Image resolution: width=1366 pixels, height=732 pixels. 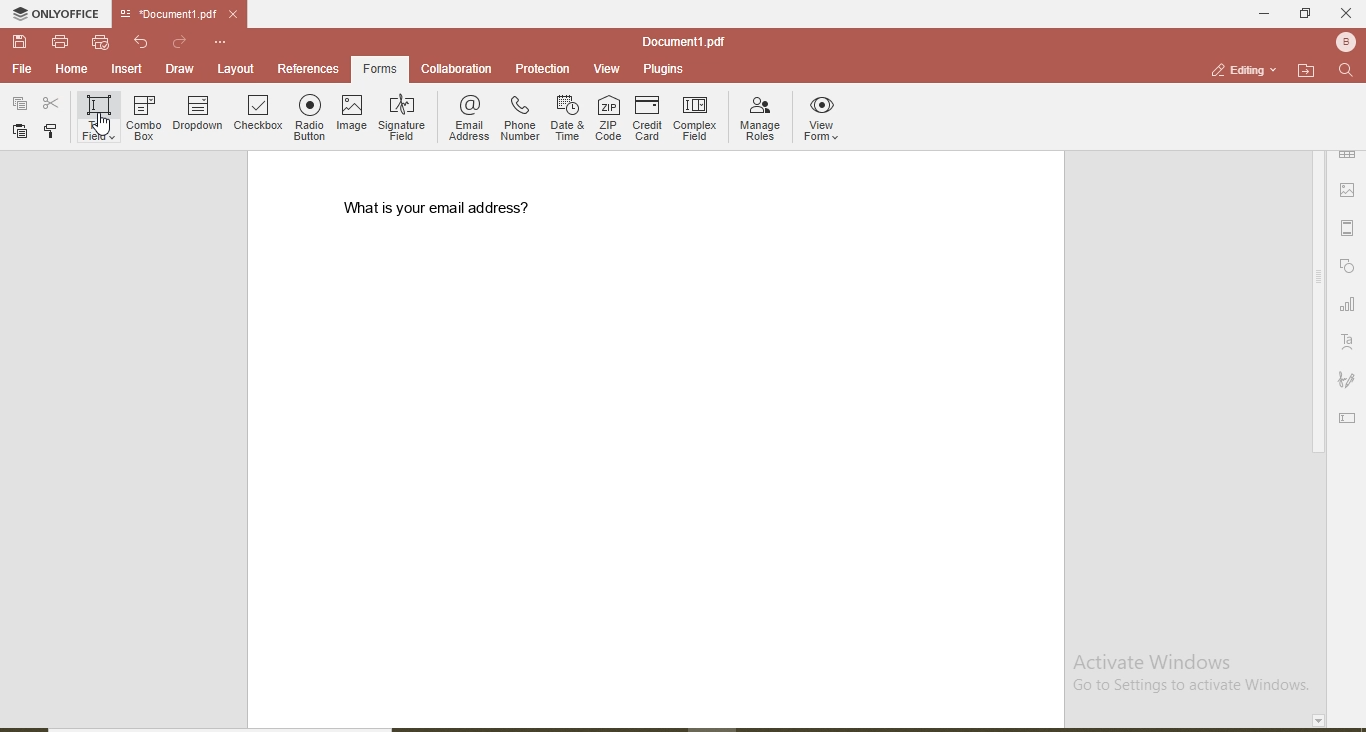 What do you see at coordinates (1349, 267) in the screenshot?
I see `shapes` at bounding box center [1349, 267].